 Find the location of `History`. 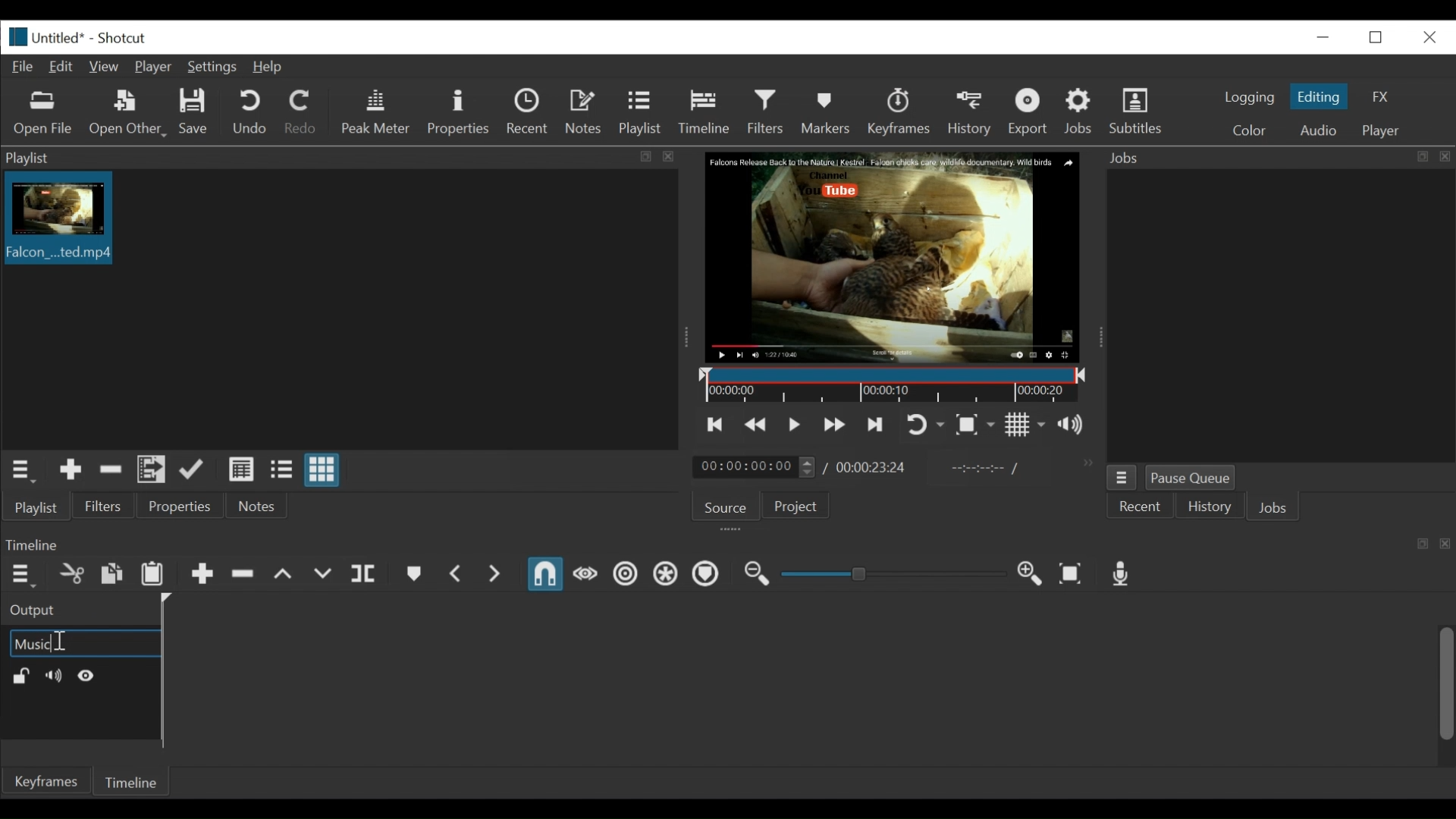

History is located at coordinates (1208, 507).